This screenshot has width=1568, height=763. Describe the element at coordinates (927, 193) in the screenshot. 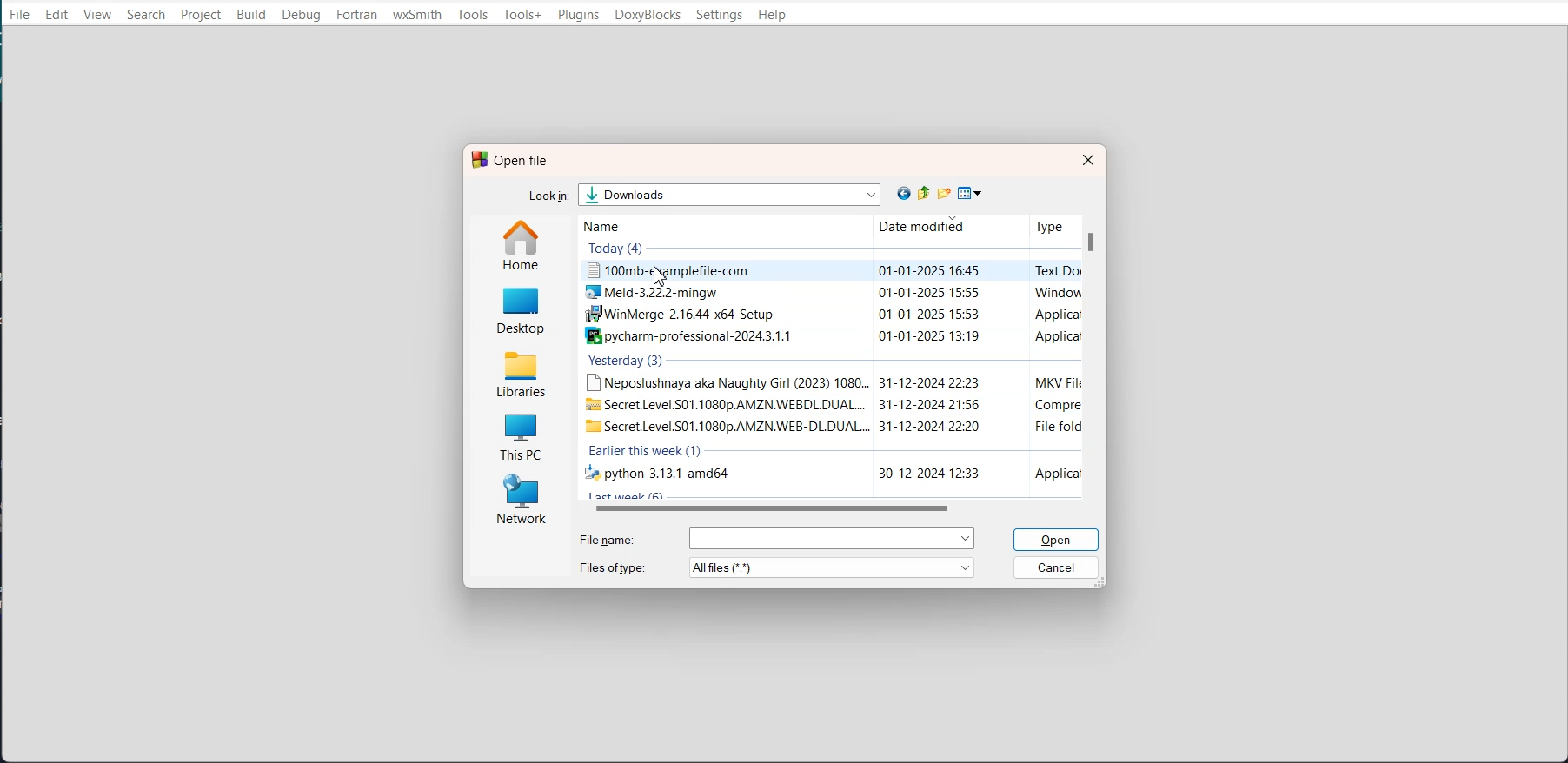

I see `Up one level` at that location.